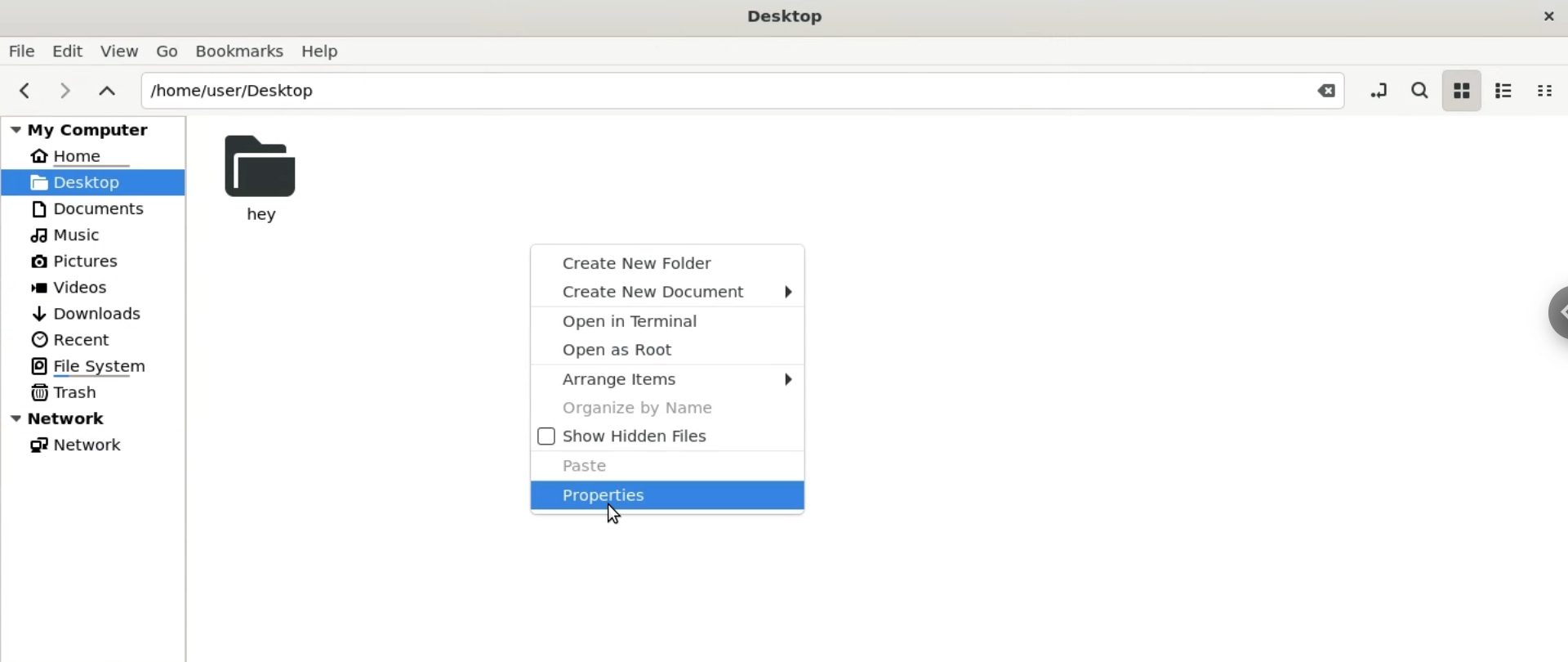  What do you see at coordinates (81, 445) in the screenshot?
I see `network` at bounding box center [81, 445].